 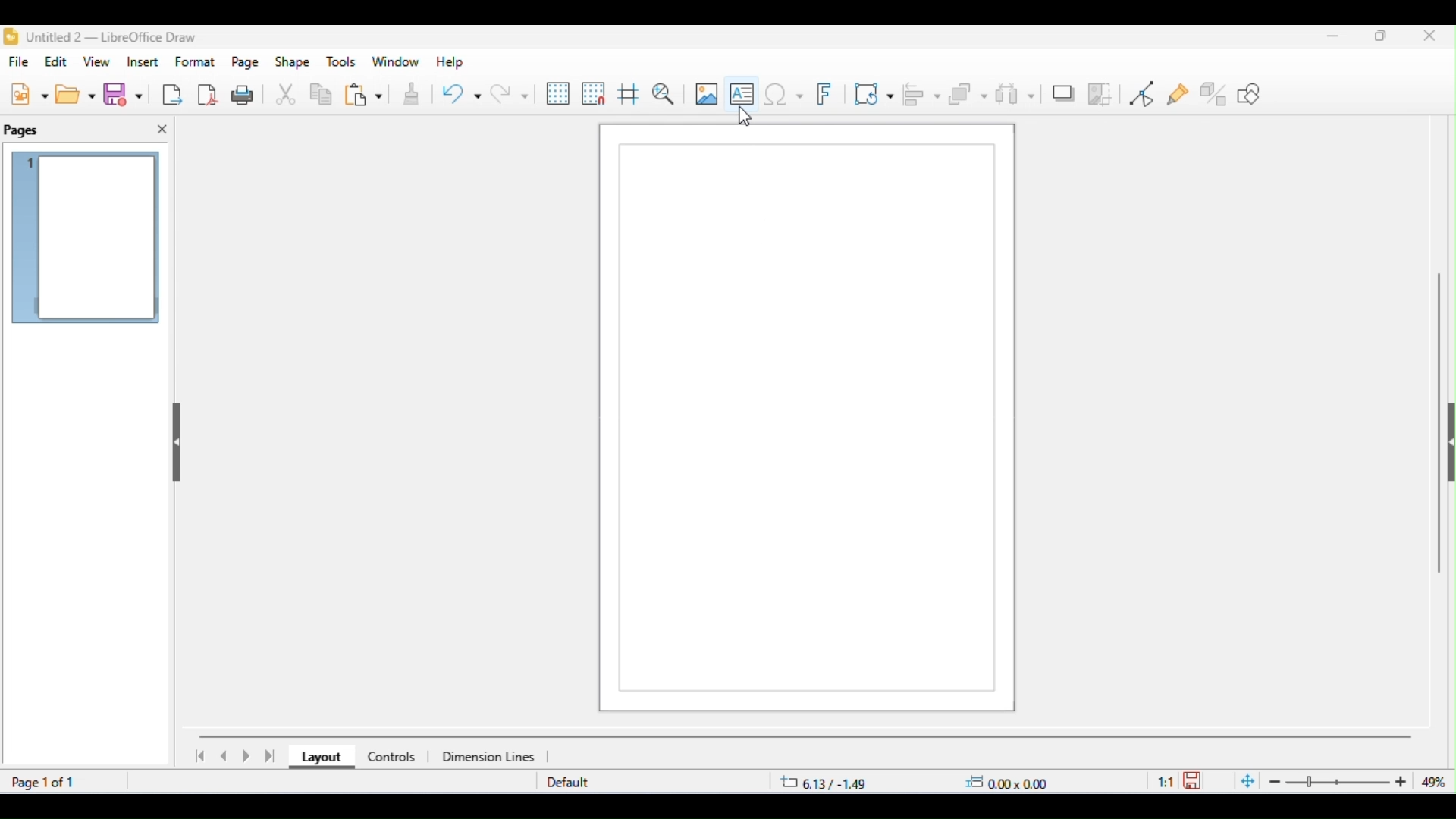 I want to click on clone, so click(x=409, y=96).